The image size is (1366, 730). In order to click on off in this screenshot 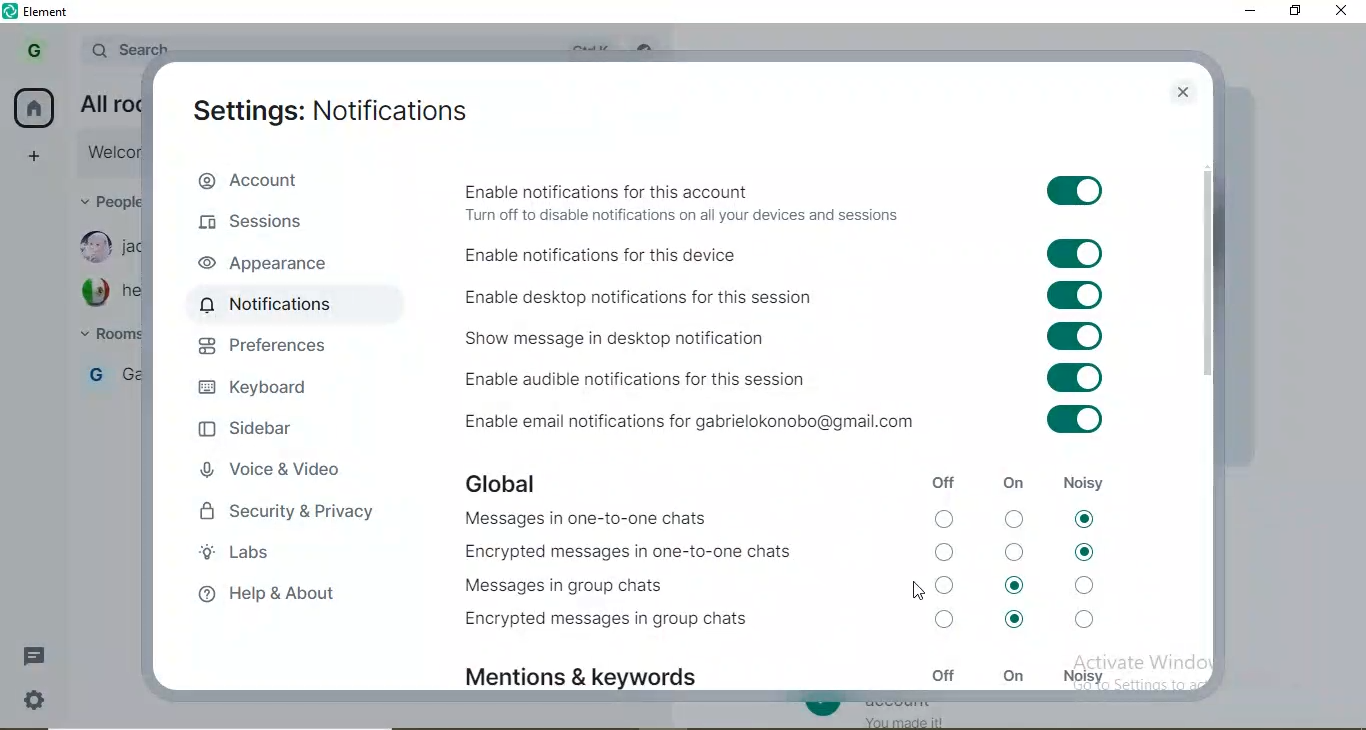, I will do `click(943, 674)`.